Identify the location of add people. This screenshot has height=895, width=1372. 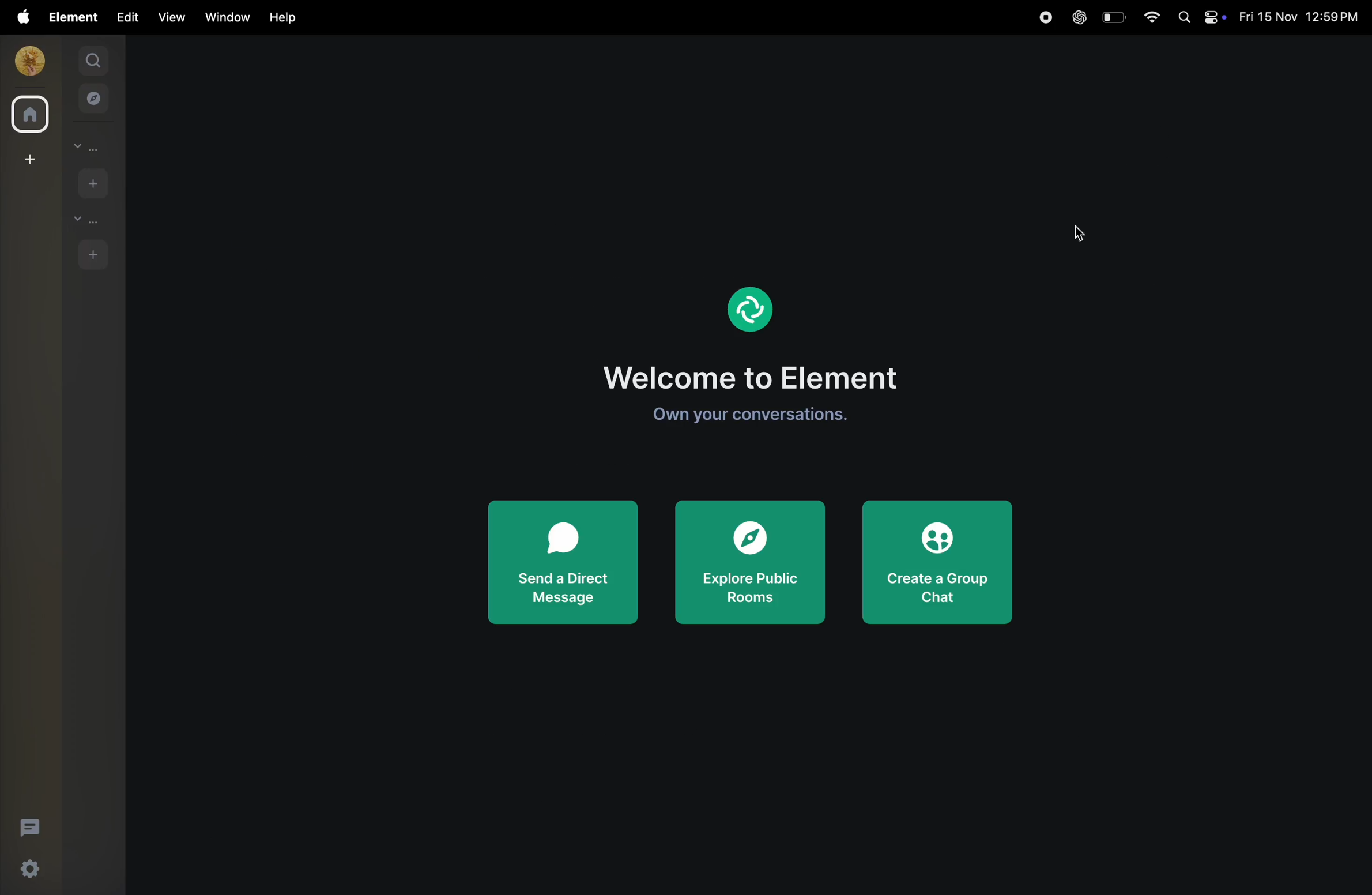
(91, 182).